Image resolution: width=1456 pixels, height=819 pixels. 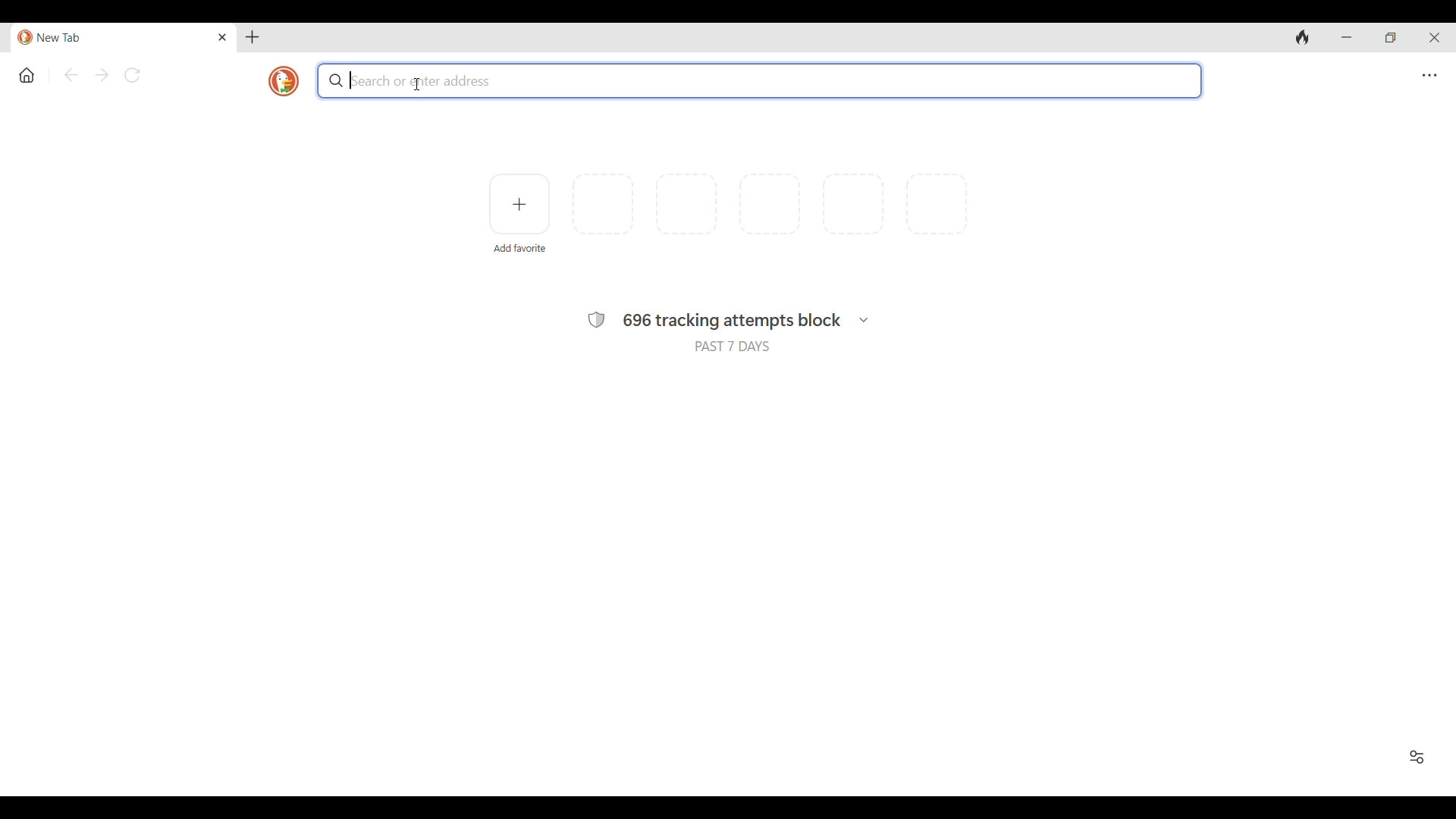 What do you see at coordinates (133, 75) in the screenshot?
I see `Reload page` at bounding box center [133, 75].